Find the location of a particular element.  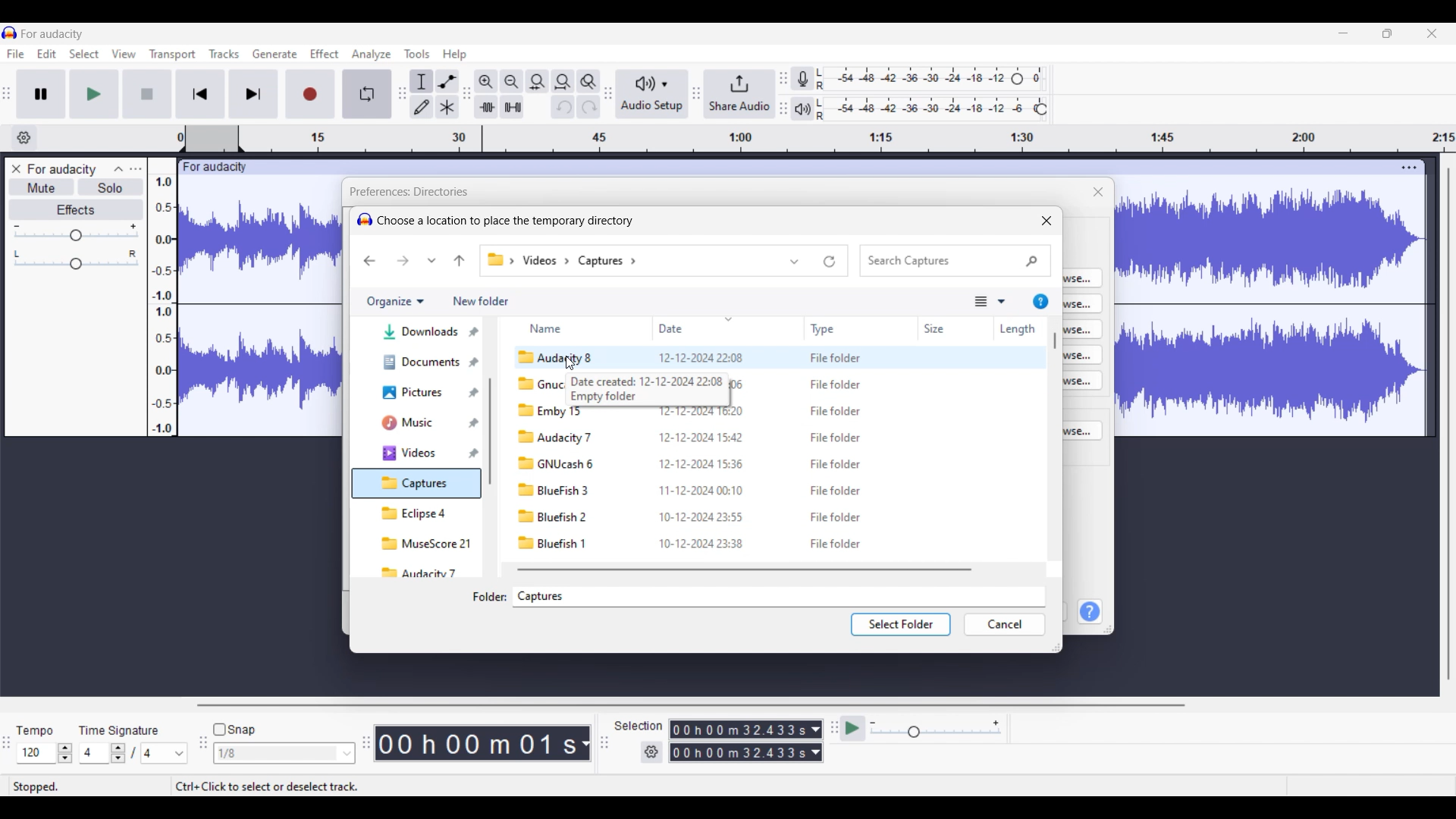

Music is located at coordinates (422, 422).